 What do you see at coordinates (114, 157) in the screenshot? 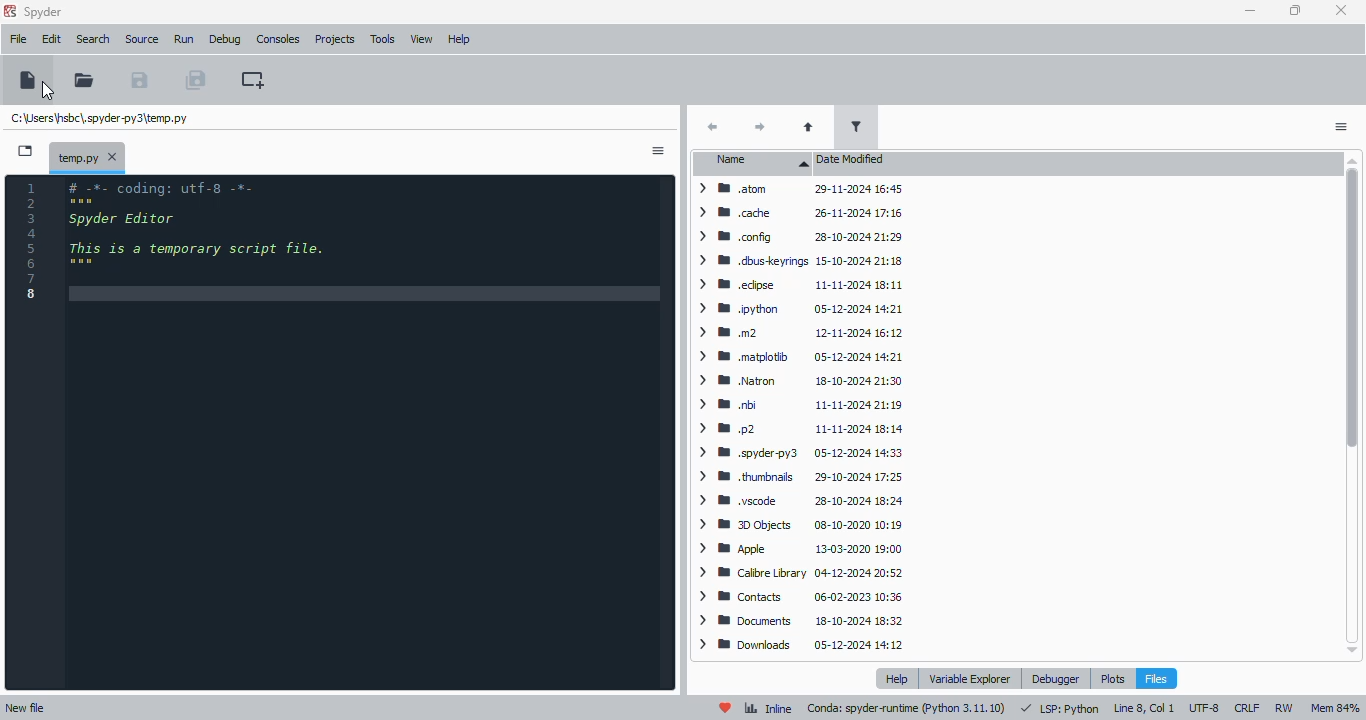
I see `close` at bounding box center [114, 157].